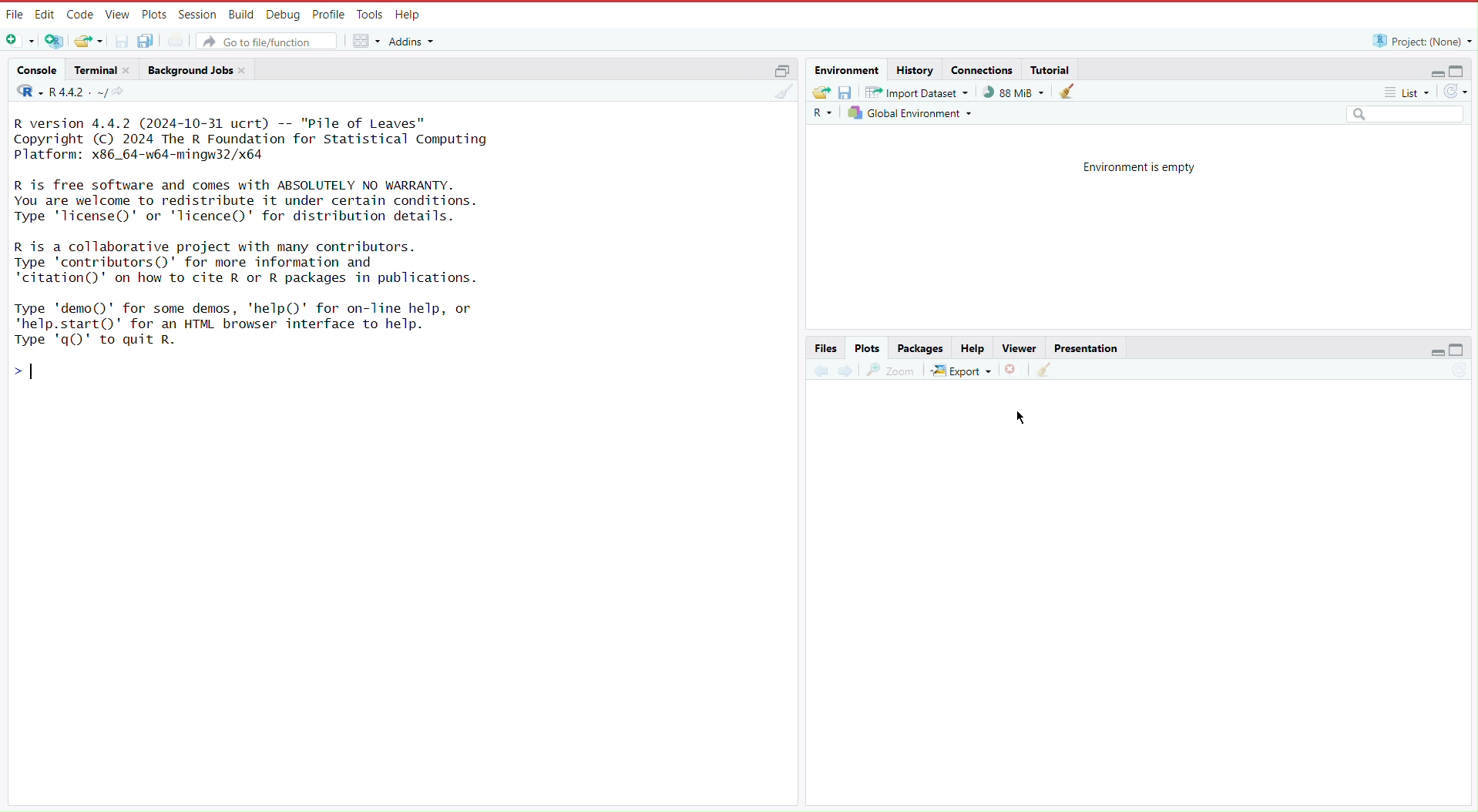 The width and height of the screenshot is (1478, 812). I want to click on Environment is empty, so click(1139, 166).